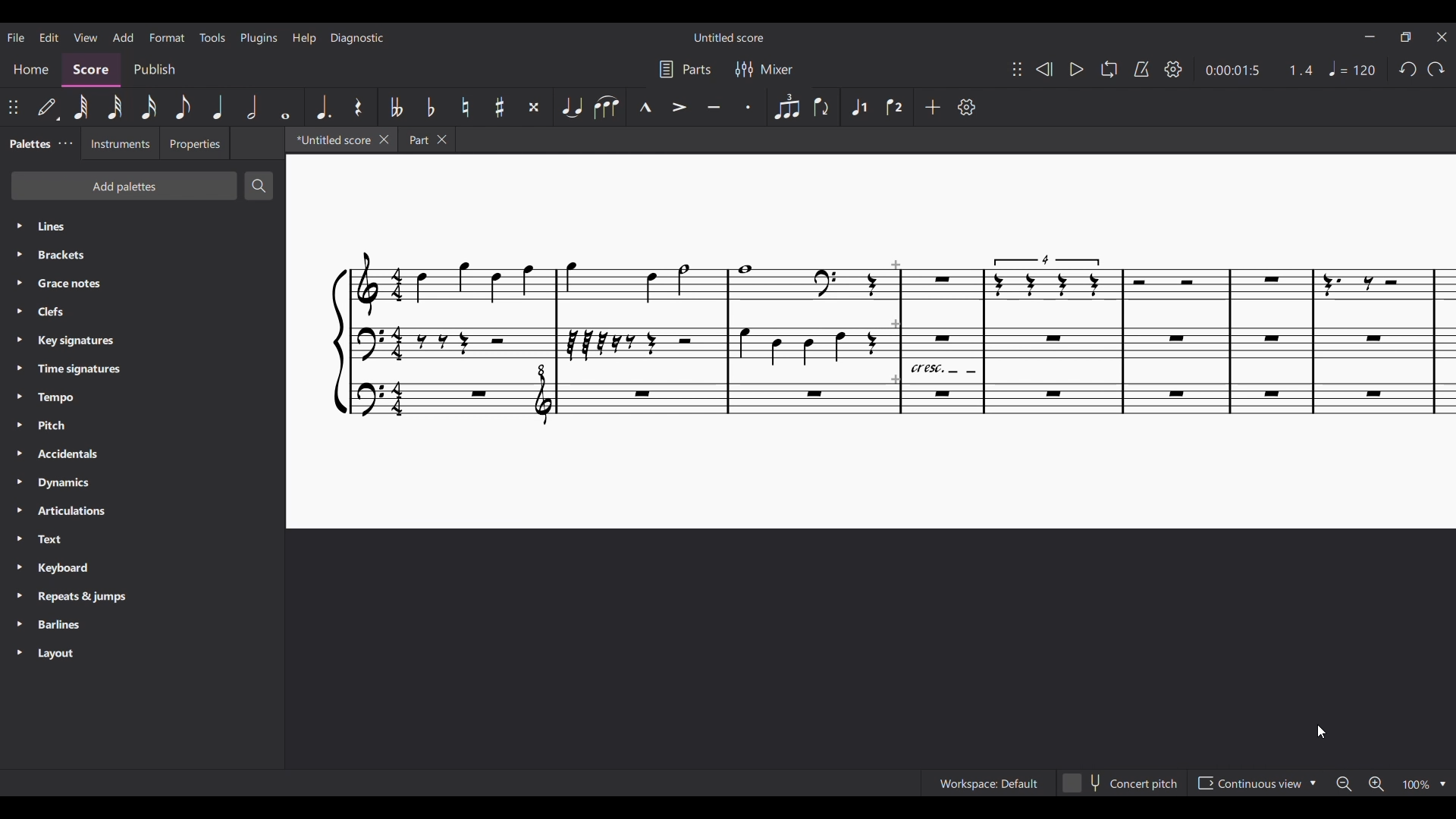 The image size is (1456, 819). Describe the element at coordinates (86, 36) in the screenshot. I see `View menu` at that location.